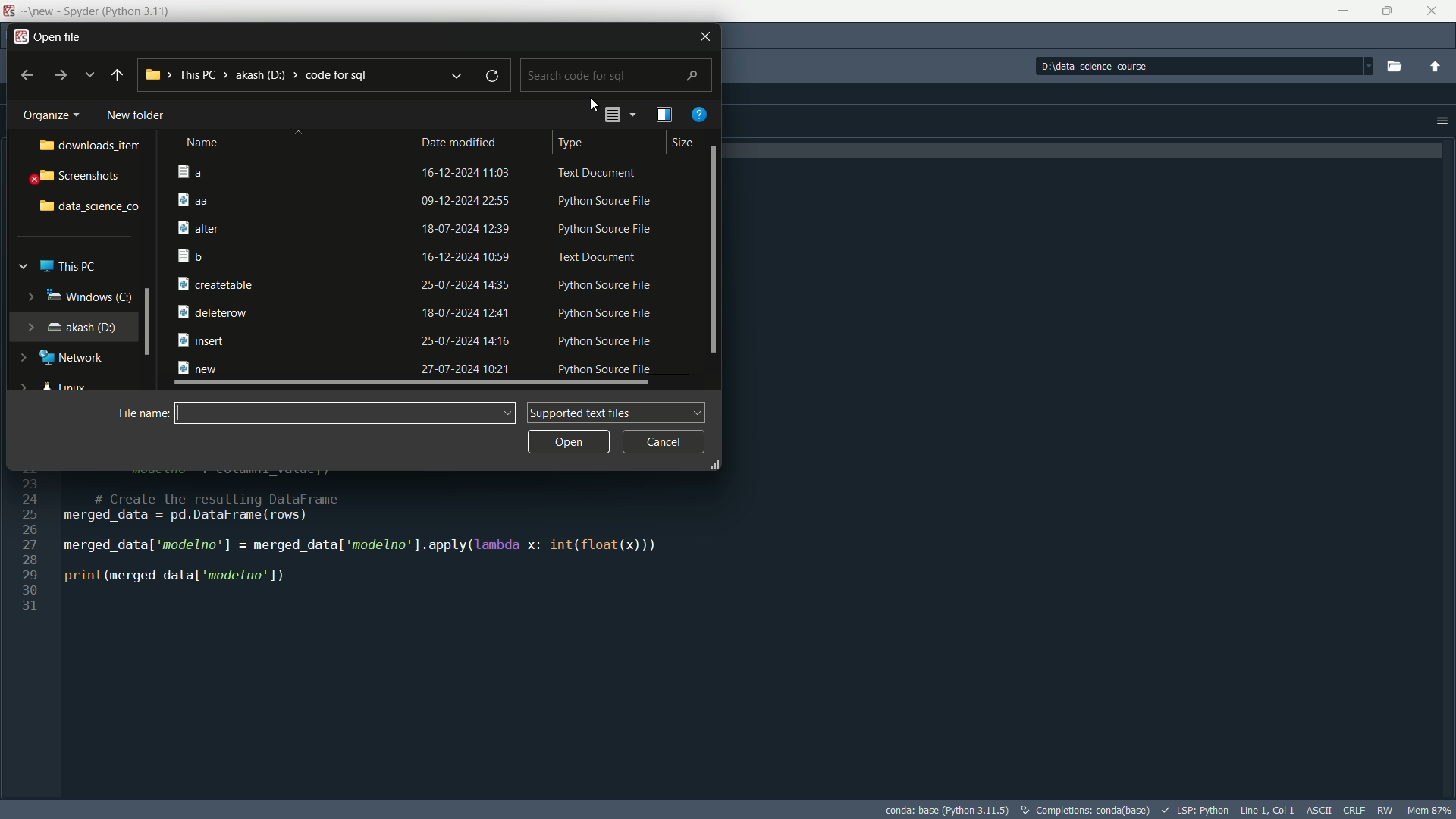 This screenshot has width=1456, height=819. What do you see at coordinates (664, 113) in the screenshot?
I see `preview pane` at bounding box center [664, 113].